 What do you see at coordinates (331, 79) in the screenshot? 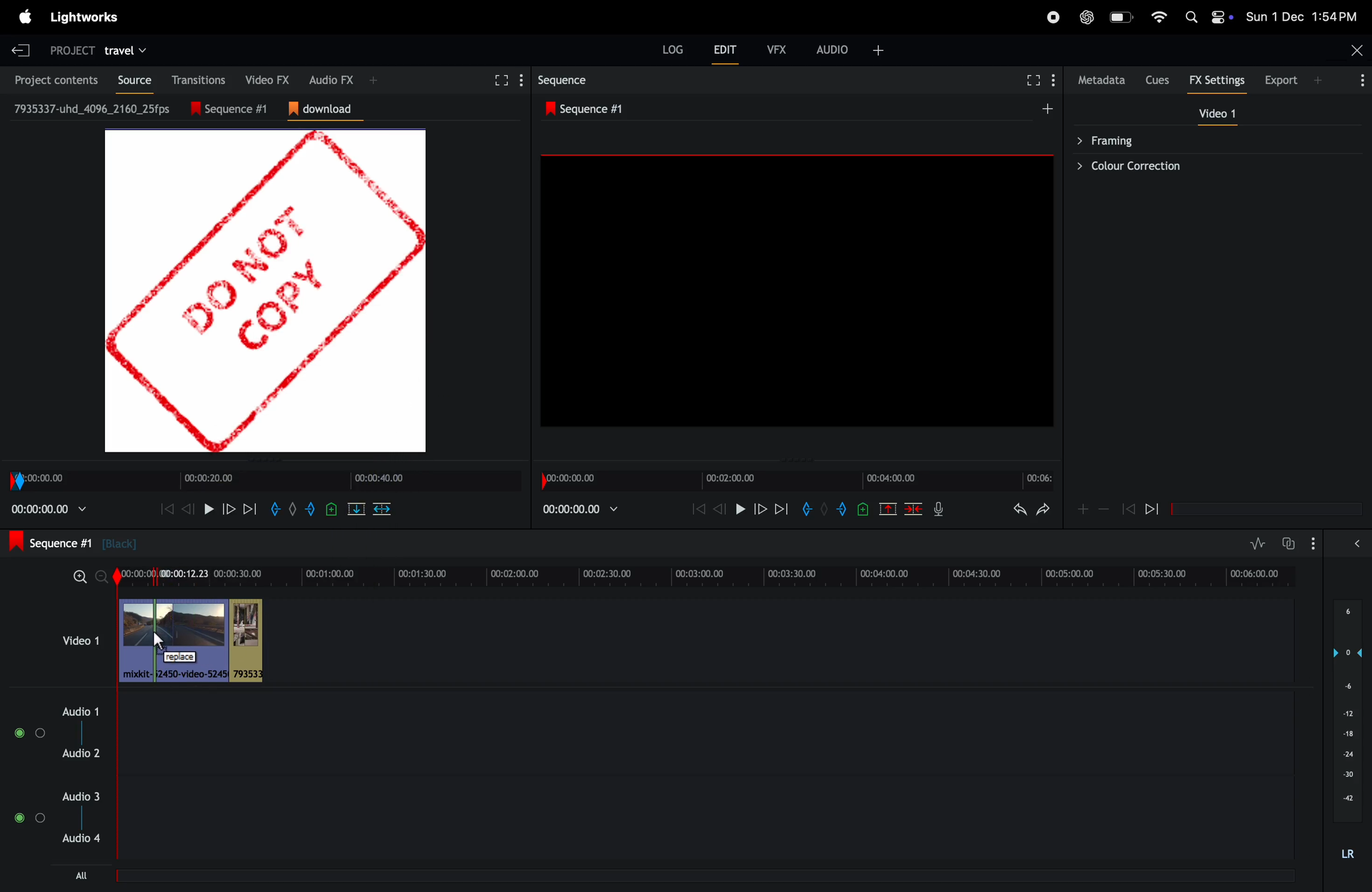
I see `audio fx` at bounding box center [331, 79].